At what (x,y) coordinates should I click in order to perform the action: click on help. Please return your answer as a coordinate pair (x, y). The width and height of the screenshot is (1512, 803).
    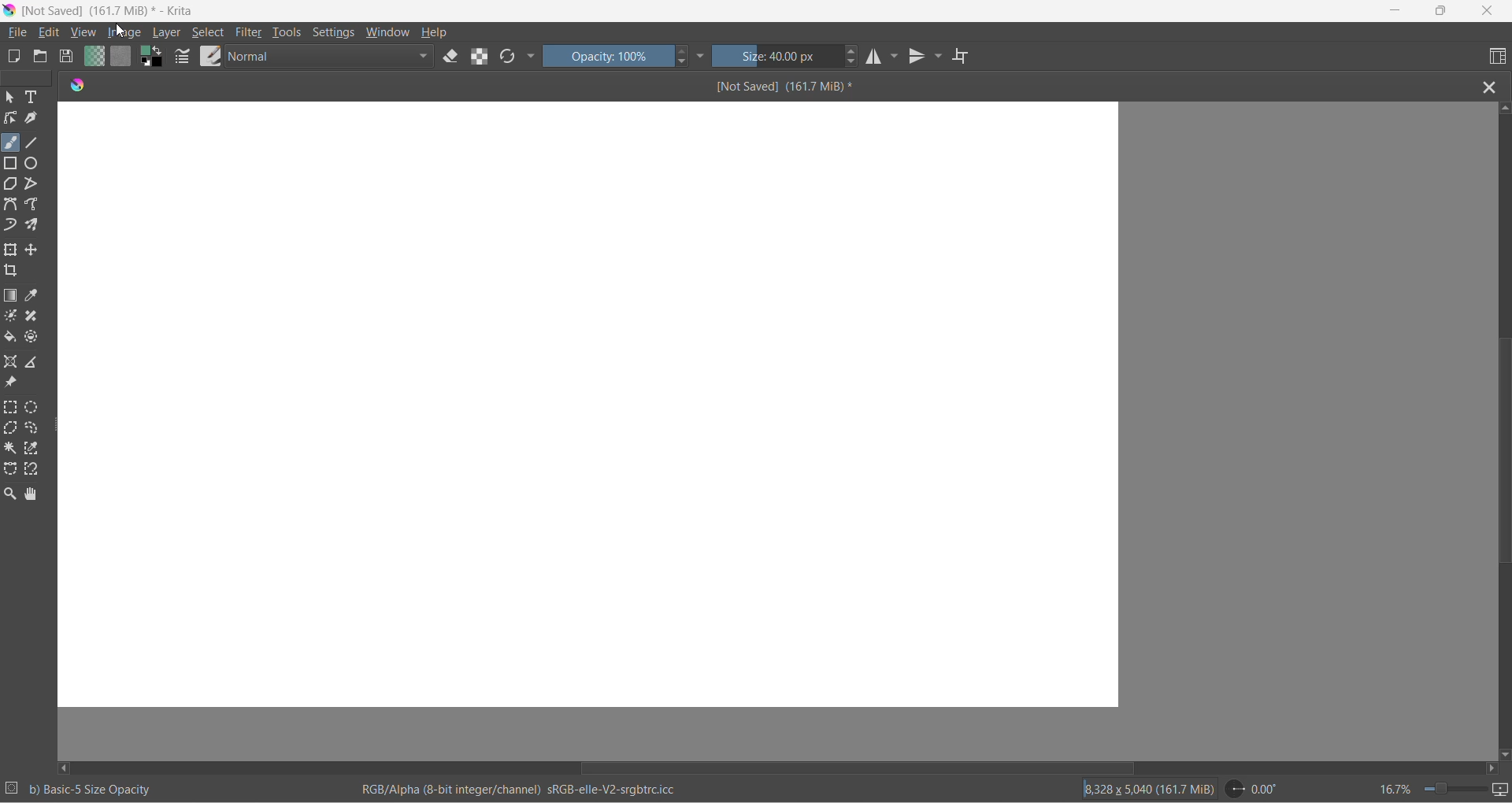
    Looking at the image, I should click on (437, 32).